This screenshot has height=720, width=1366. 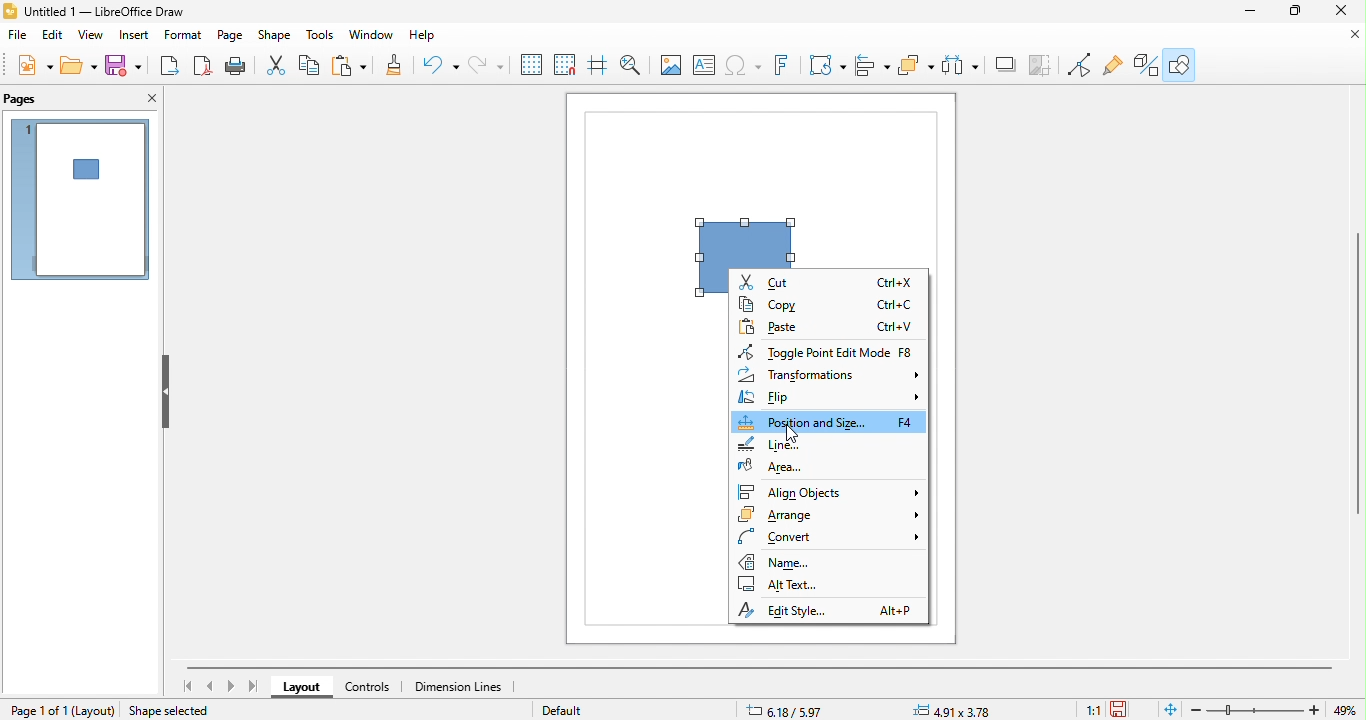 What do you see at coordinates (486, 66) in the screenshot?
I see `redo` at bounding box center [486, 66].